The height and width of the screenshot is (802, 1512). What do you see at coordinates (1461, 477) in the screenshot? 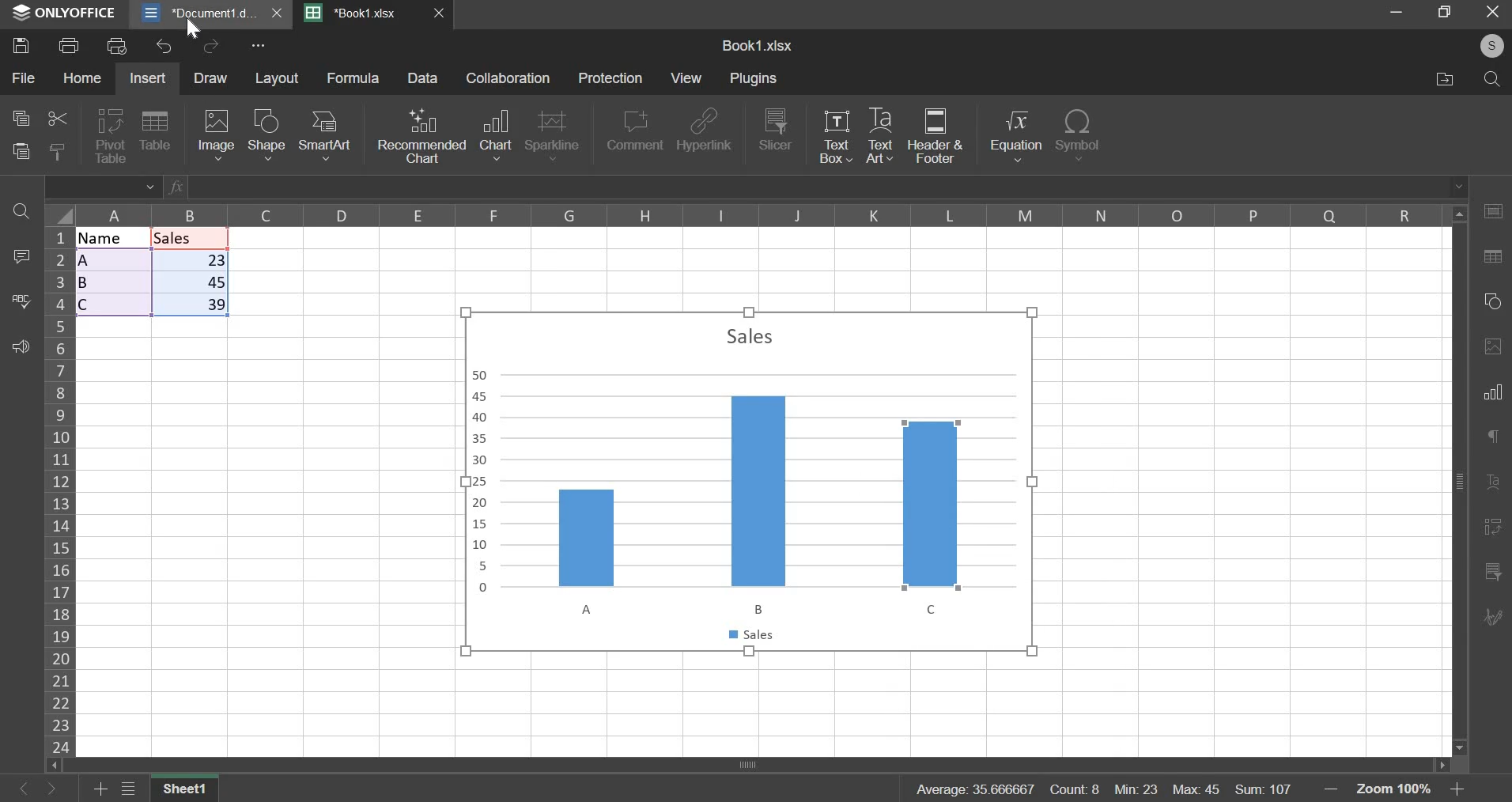
I see `Vertical scroll bar` at bounding box center [1461, 477].